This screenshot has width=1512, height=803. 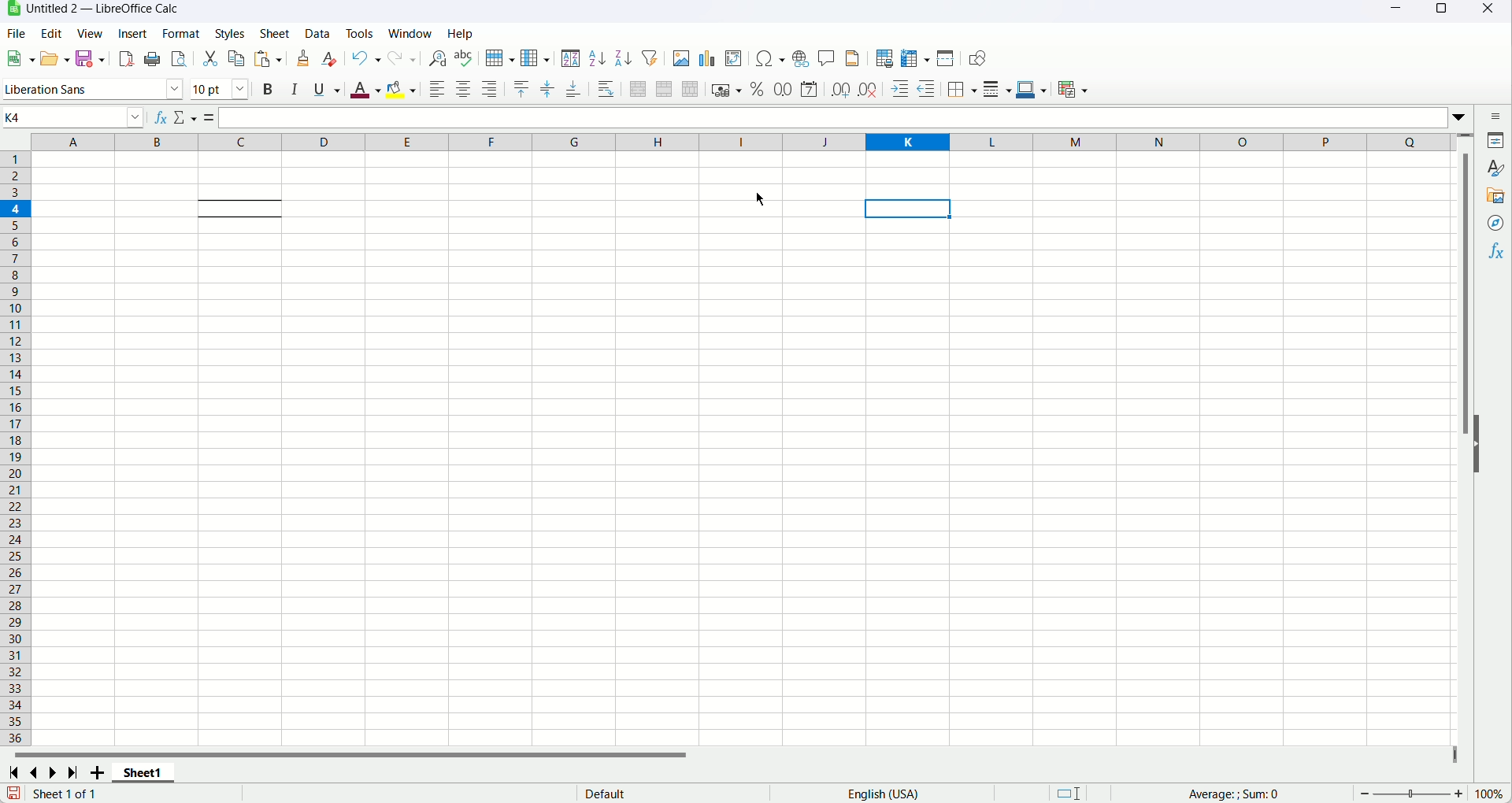 I want to click on Merge cells, so click(x=664, y=89).